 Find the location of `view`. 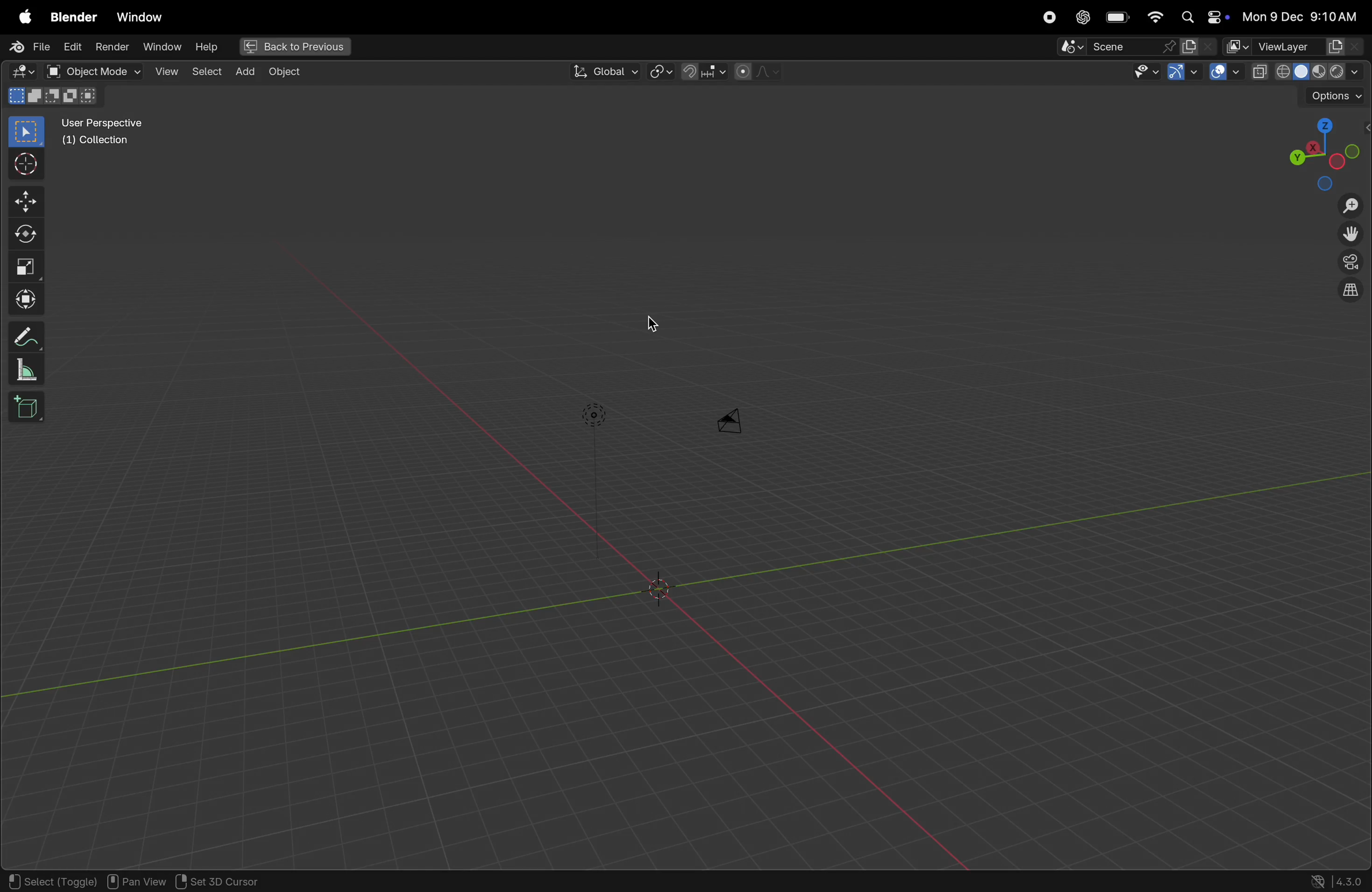

view is located at coordinates (166, 71).